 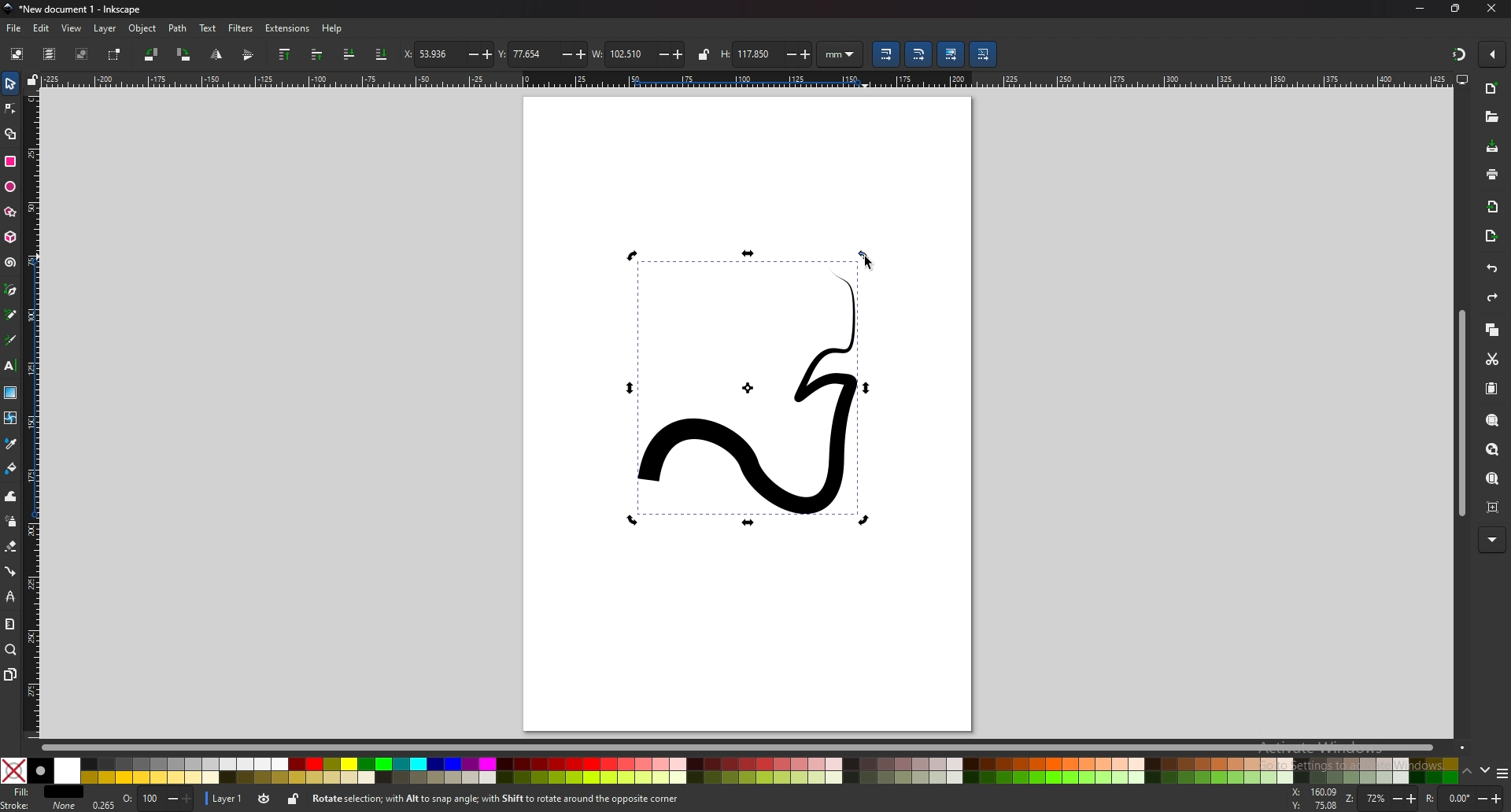 I want to click on fill, so click(x=40, y=791).